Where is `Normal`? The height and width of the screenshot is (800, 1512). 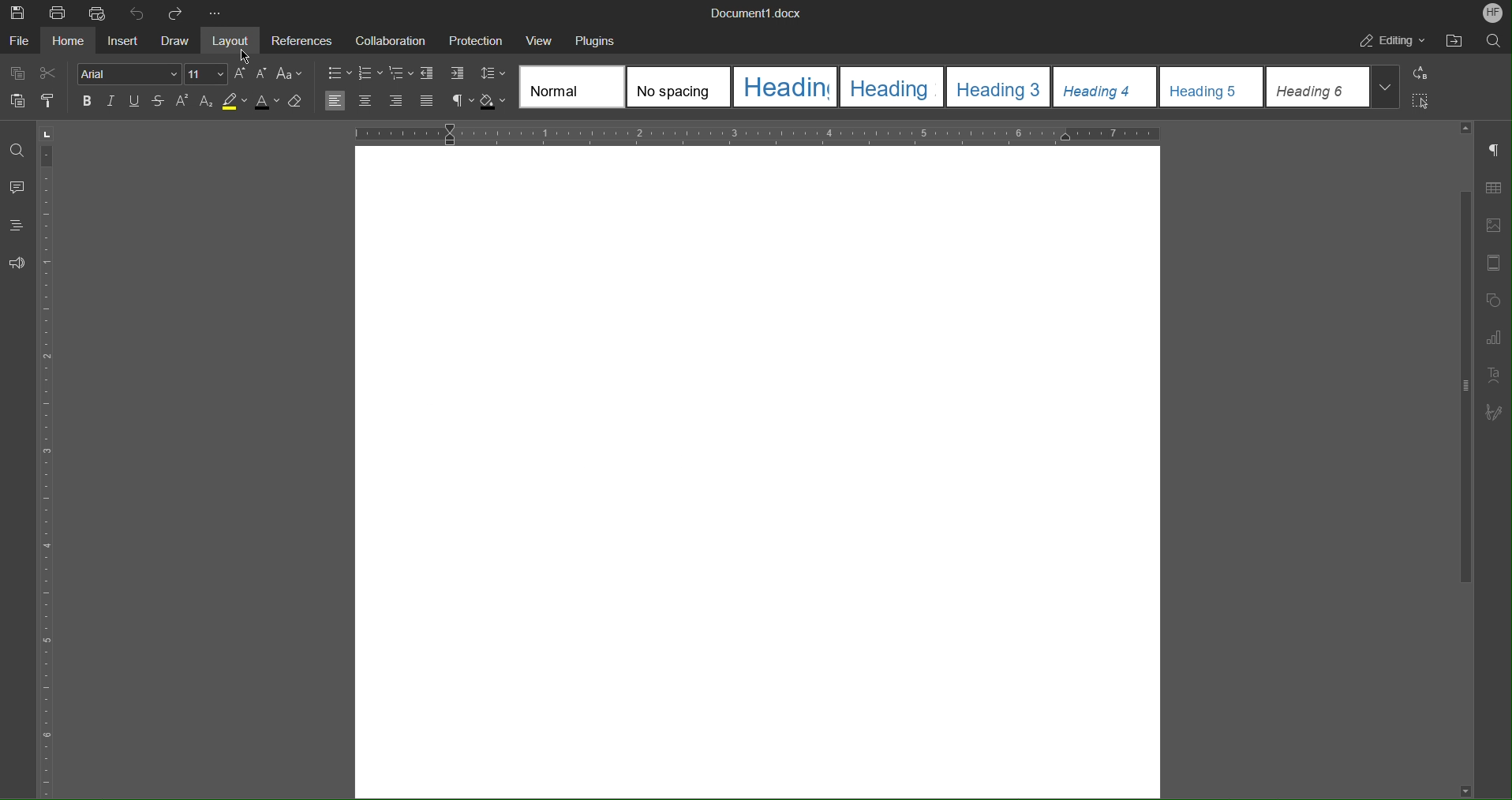 Normal is located at coordinates (573, 87).